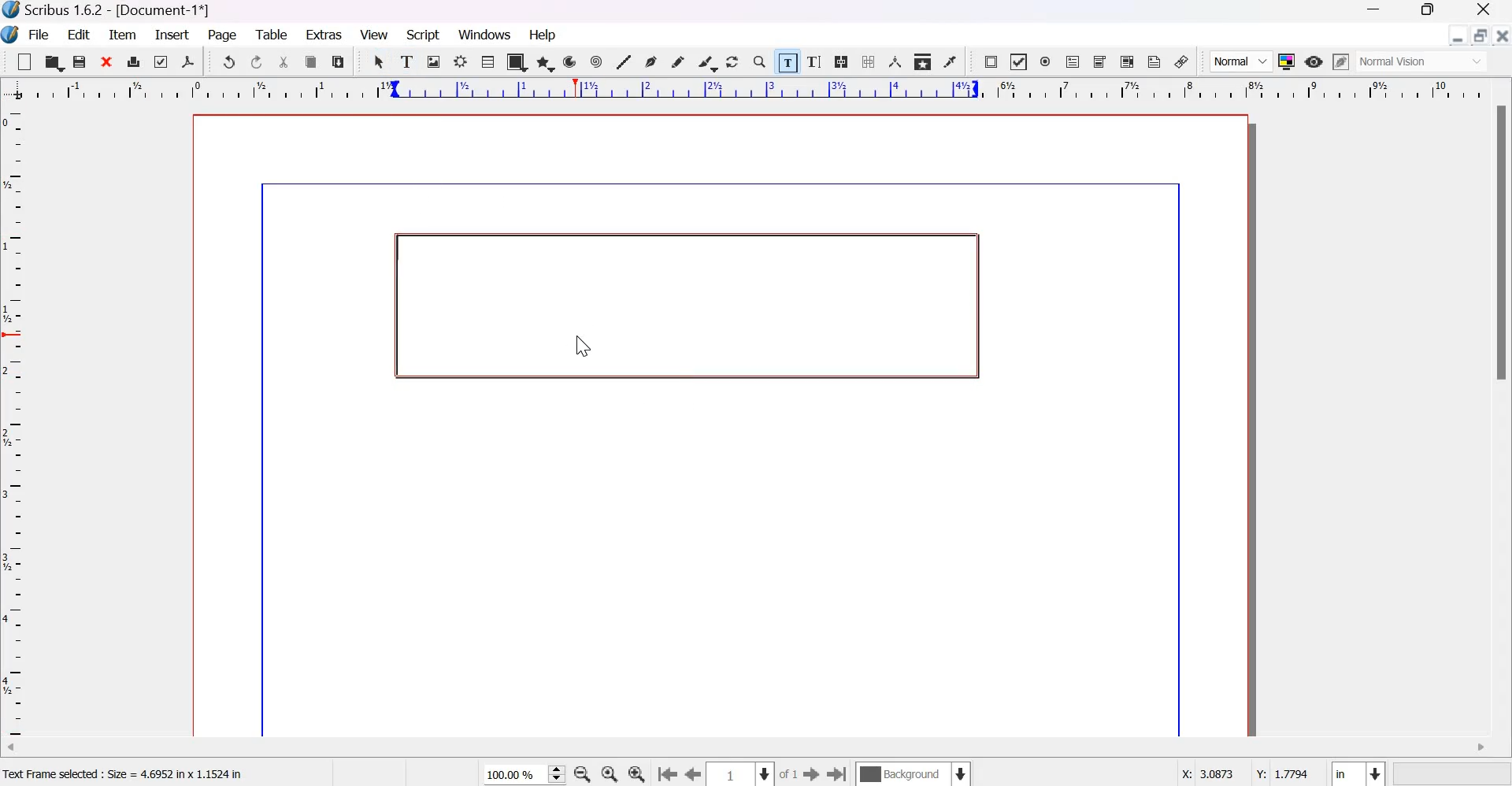 Image resolution: width=1512 pixels, height=786 pixels. I want to click on Normal Vision, so click(1424, 61).